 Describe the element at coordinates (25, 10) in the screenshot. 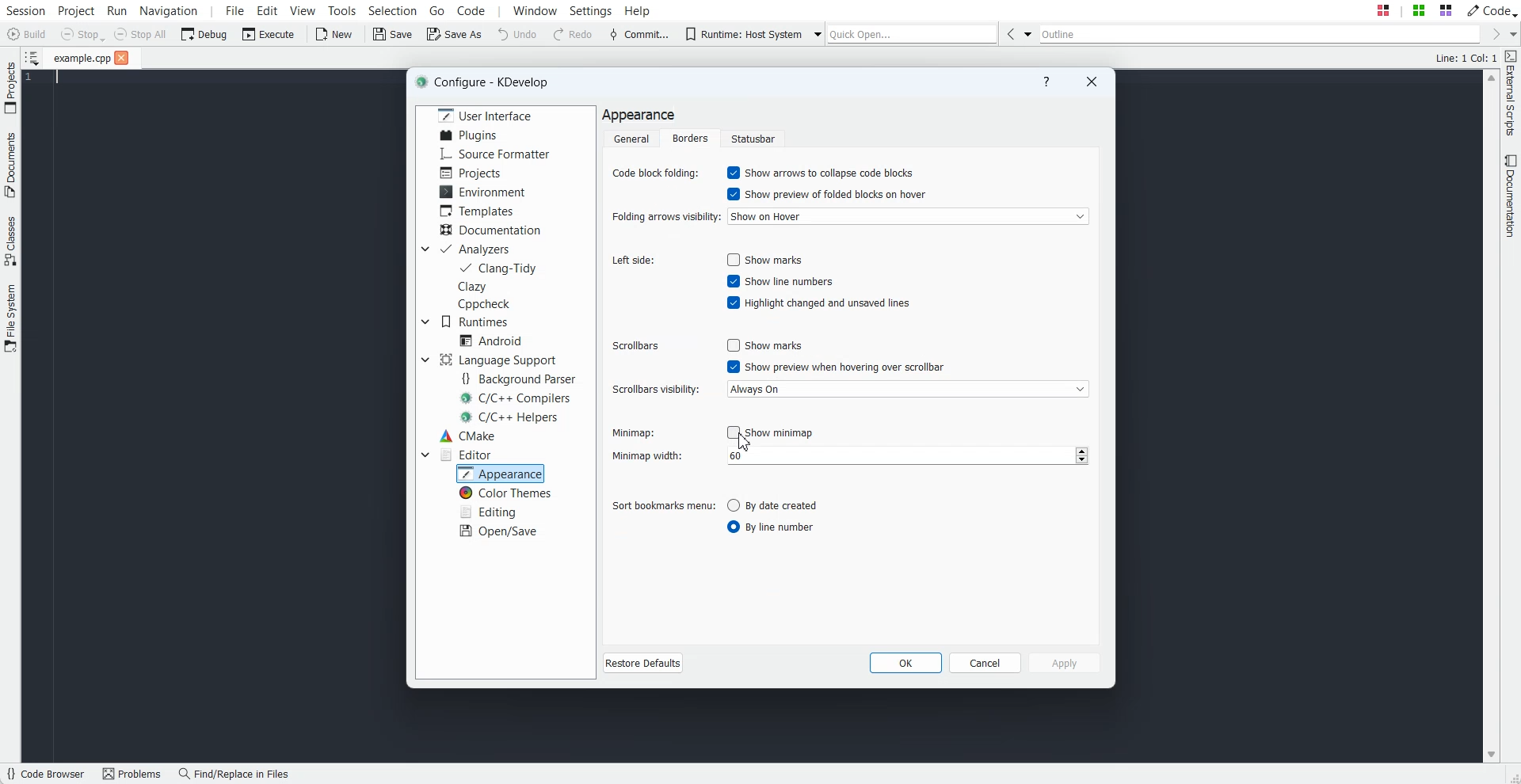

I see `Session` at that location.